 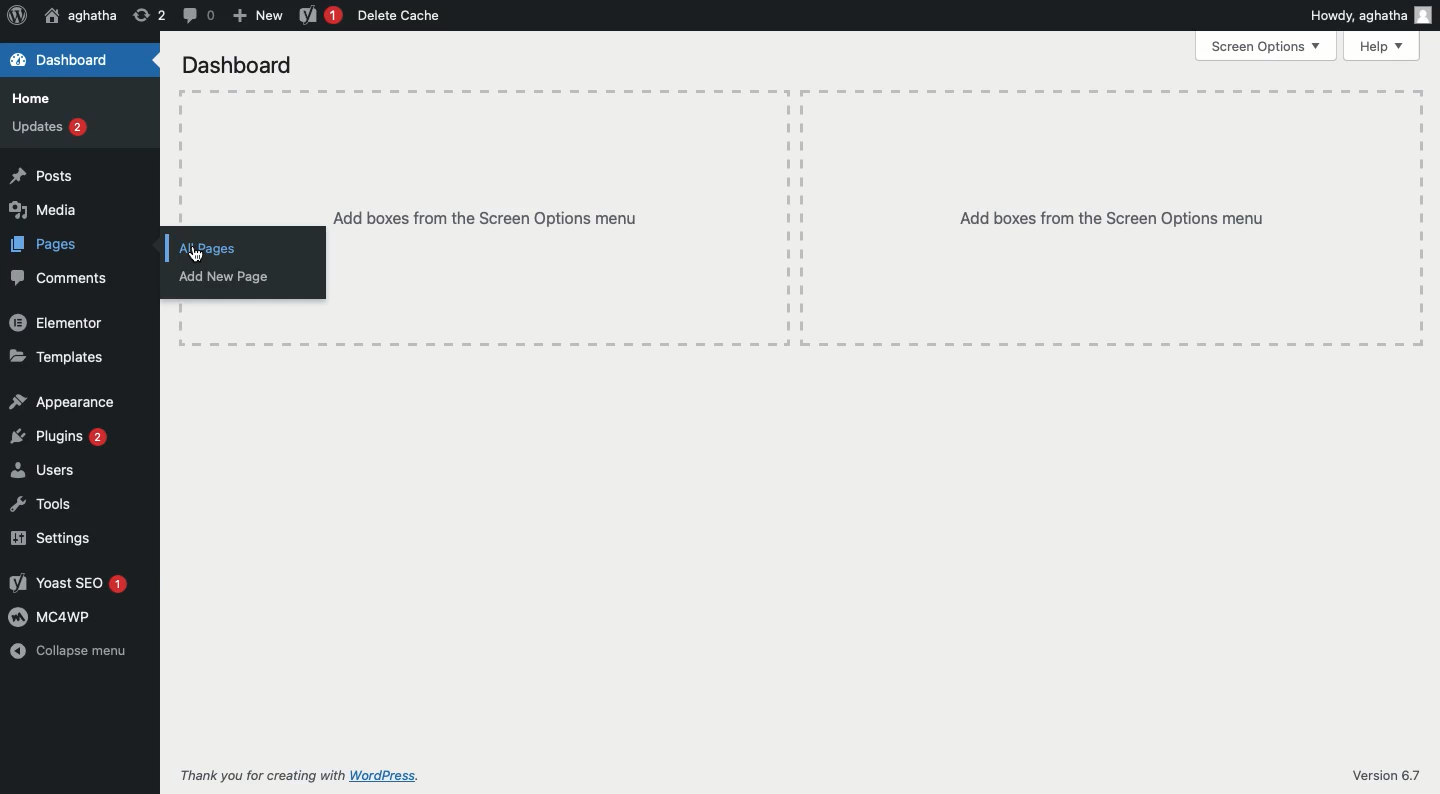 I want to click on Delete cache, so click(x=402, y=16).